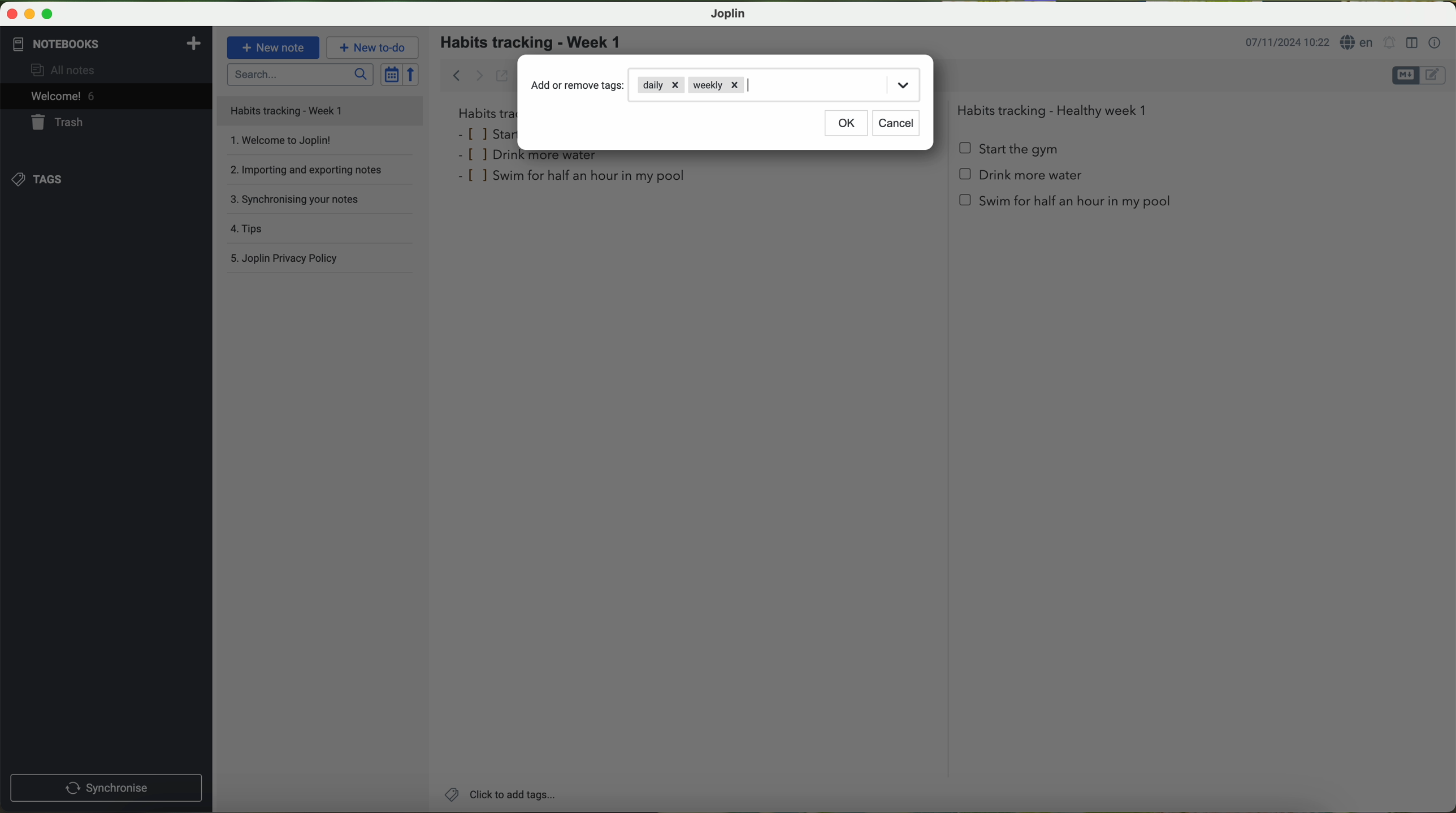  What do you see at coordinates (533, 158) in the screenshot?
I see `drink more water` at bounding box center [533, 158].